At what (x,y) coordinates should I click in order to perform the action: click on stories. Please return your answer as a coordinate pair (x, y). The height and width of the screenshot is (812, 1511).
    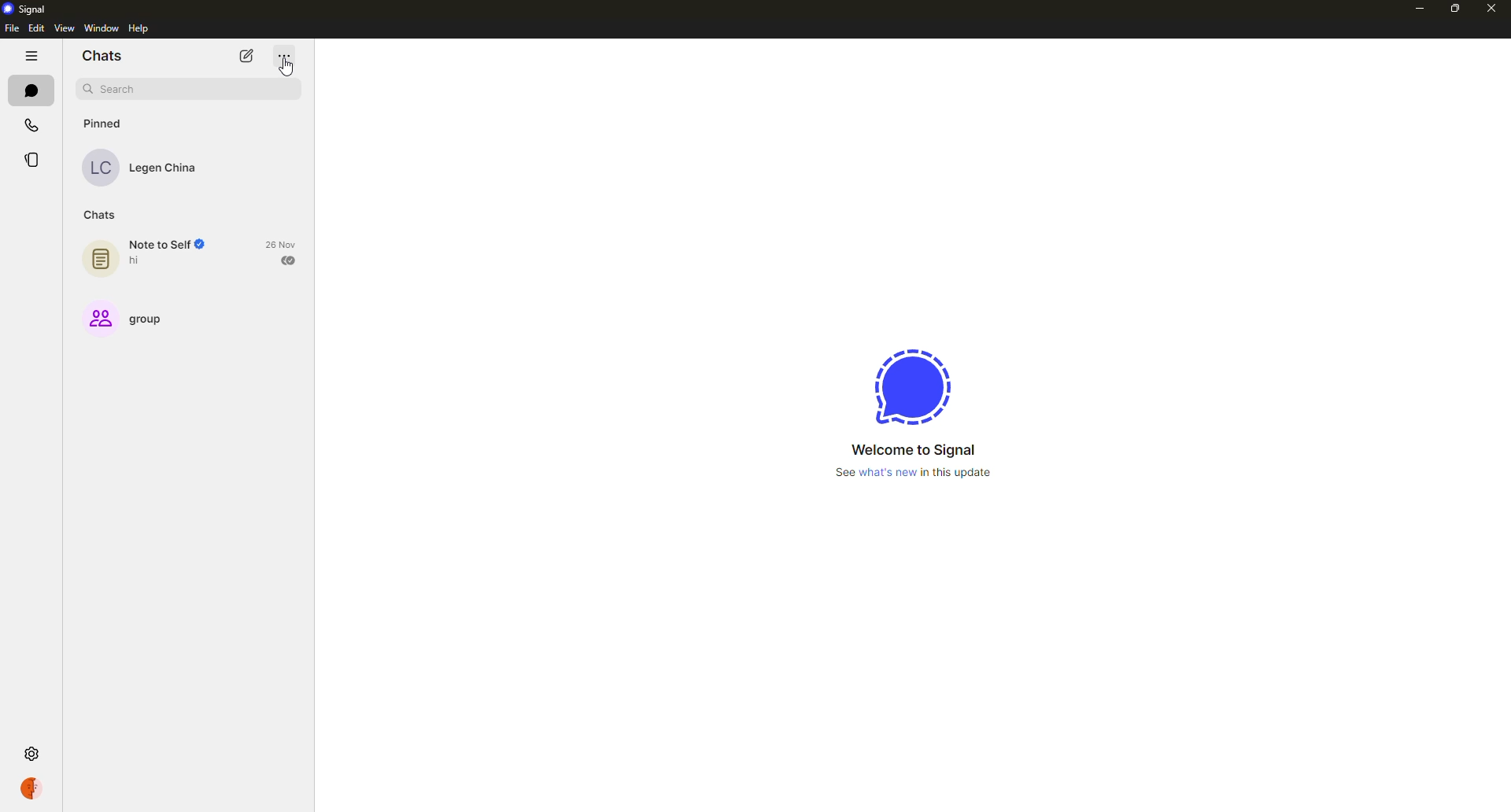
    Looking at the image, I should click on (29, 162).